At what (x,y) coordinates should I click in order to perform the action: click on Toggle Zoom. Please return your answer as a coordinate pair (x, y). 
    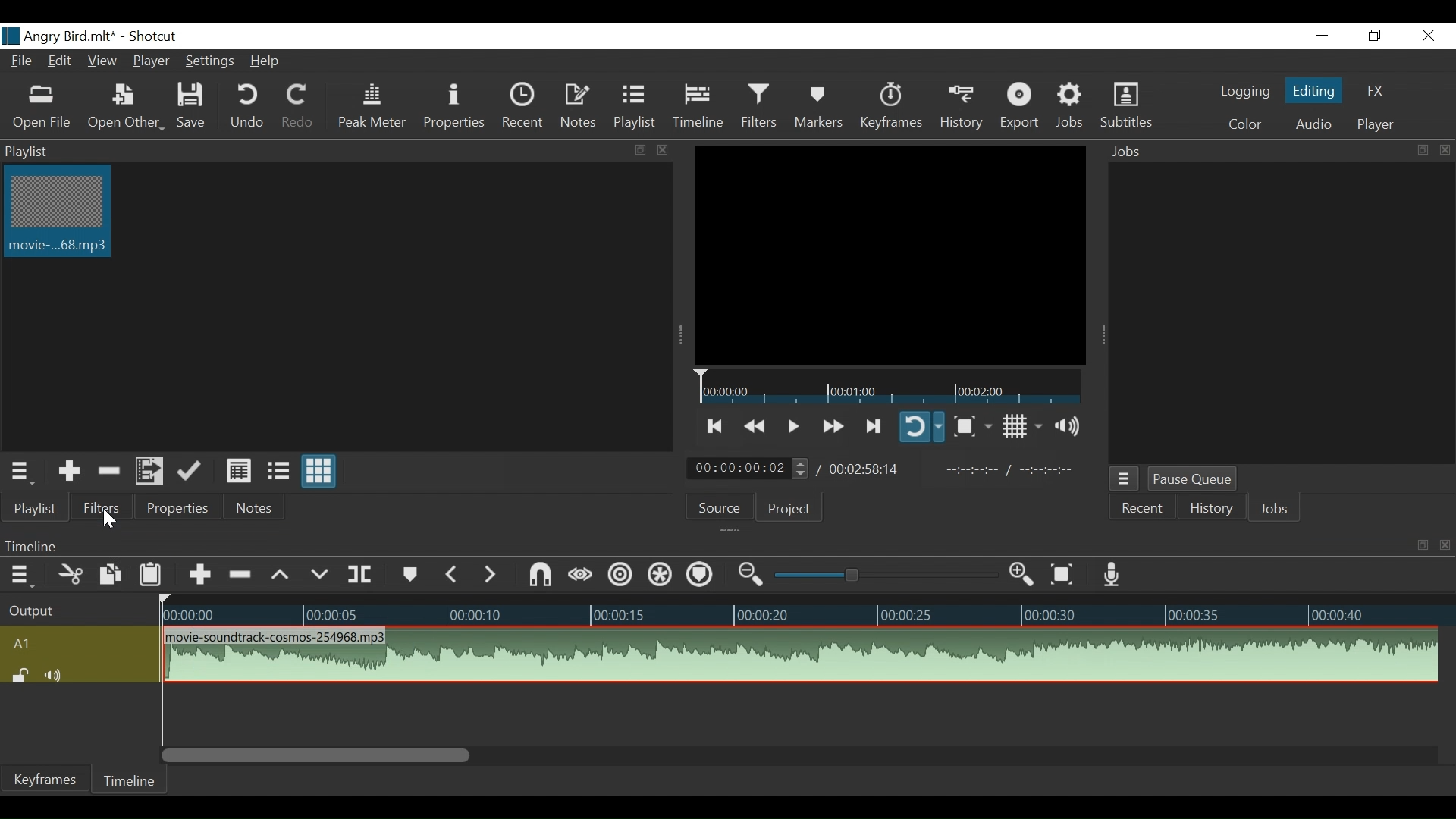
    Looking at the image, I should click on (972, 425).